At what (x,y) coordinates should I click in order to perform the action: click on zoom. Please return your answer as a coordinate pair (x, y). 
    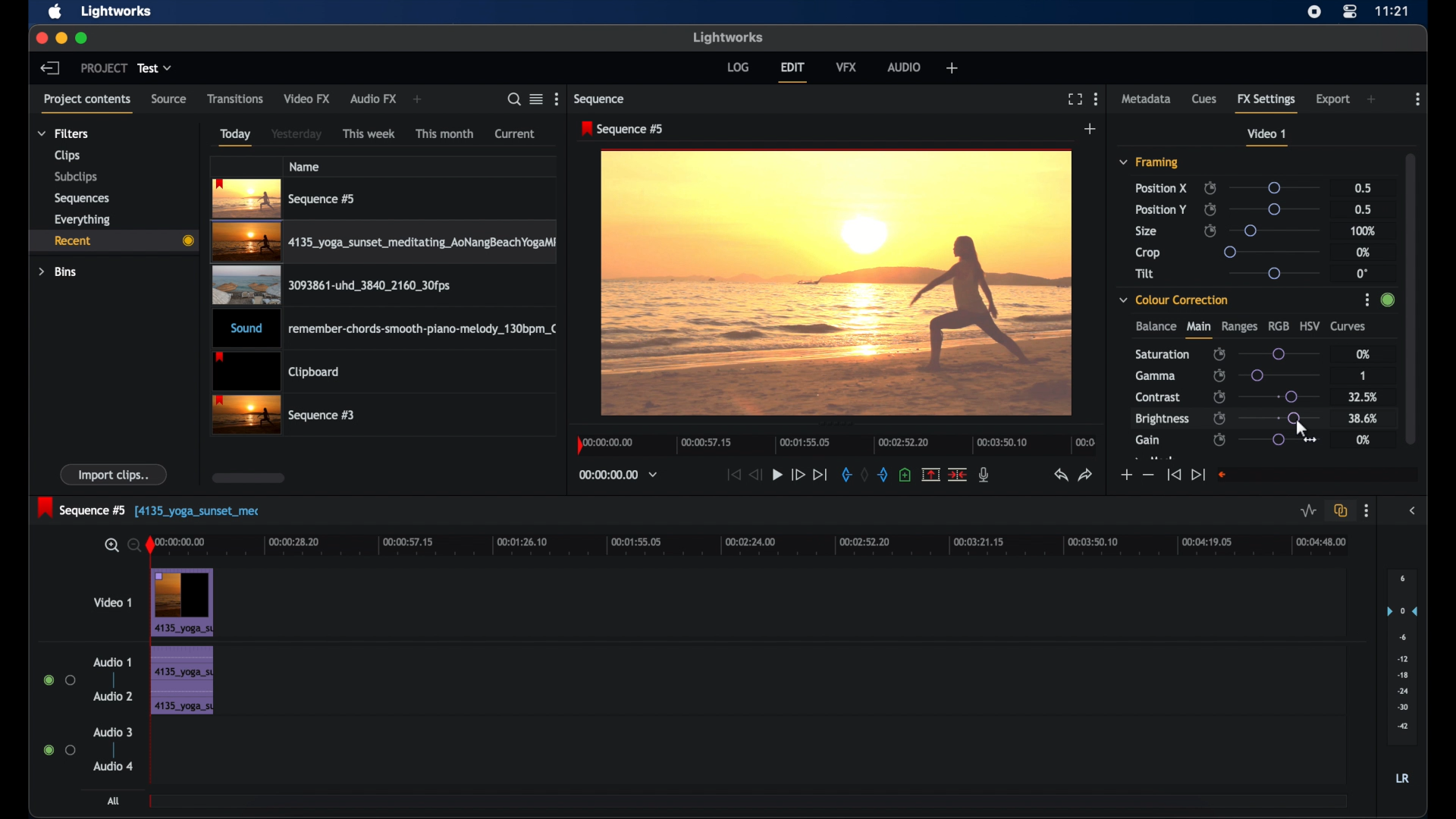
    Looking at the image, I should click on (118, 546).